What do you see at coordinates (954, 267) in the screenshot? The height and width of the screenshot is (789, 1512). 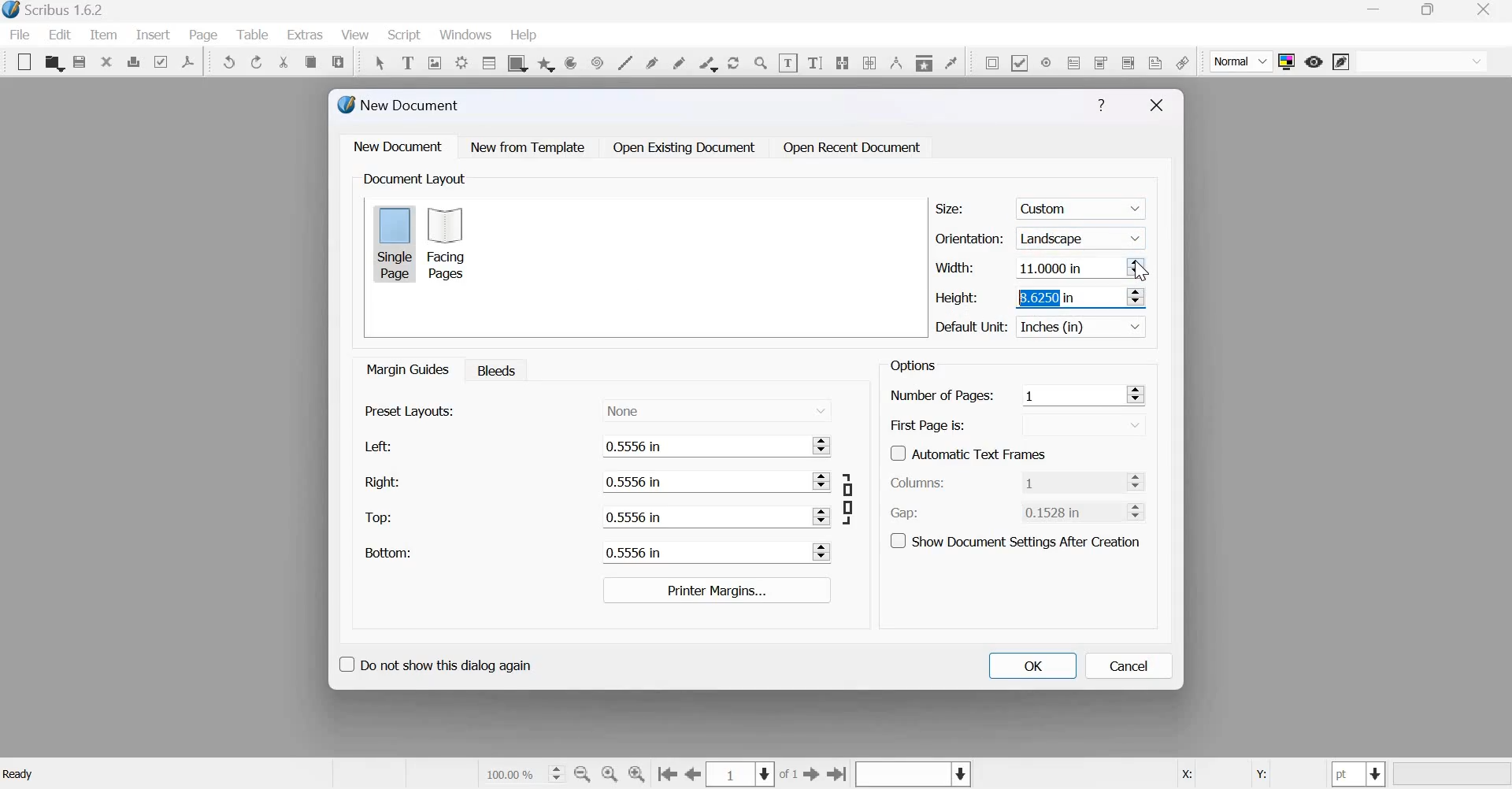 I see `Width: ` at bounding box center [954, 267].